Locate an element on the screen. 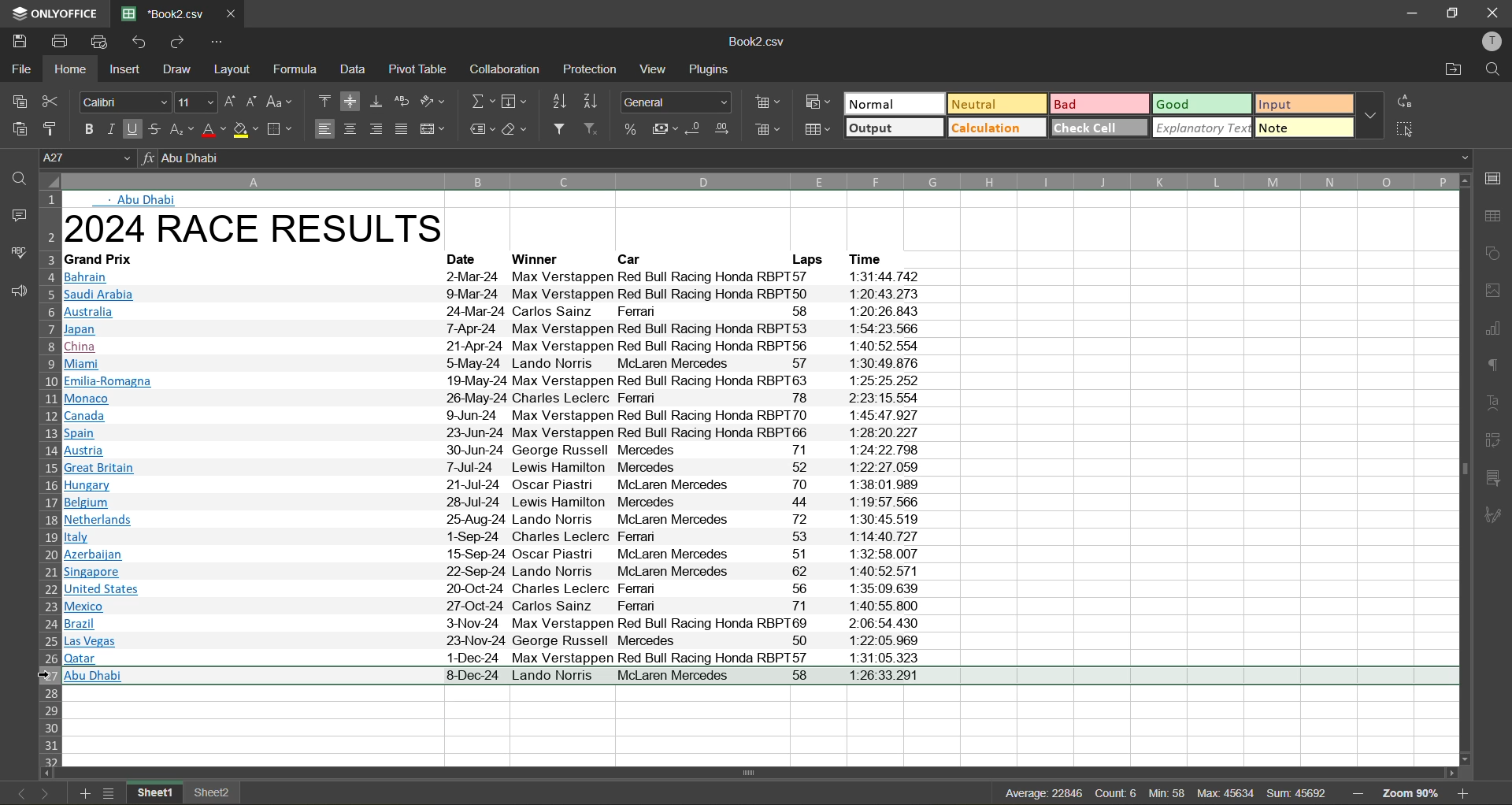 The width and height of the screenshot is (1512, 805). decrement size is located at coordinates (250, 102).